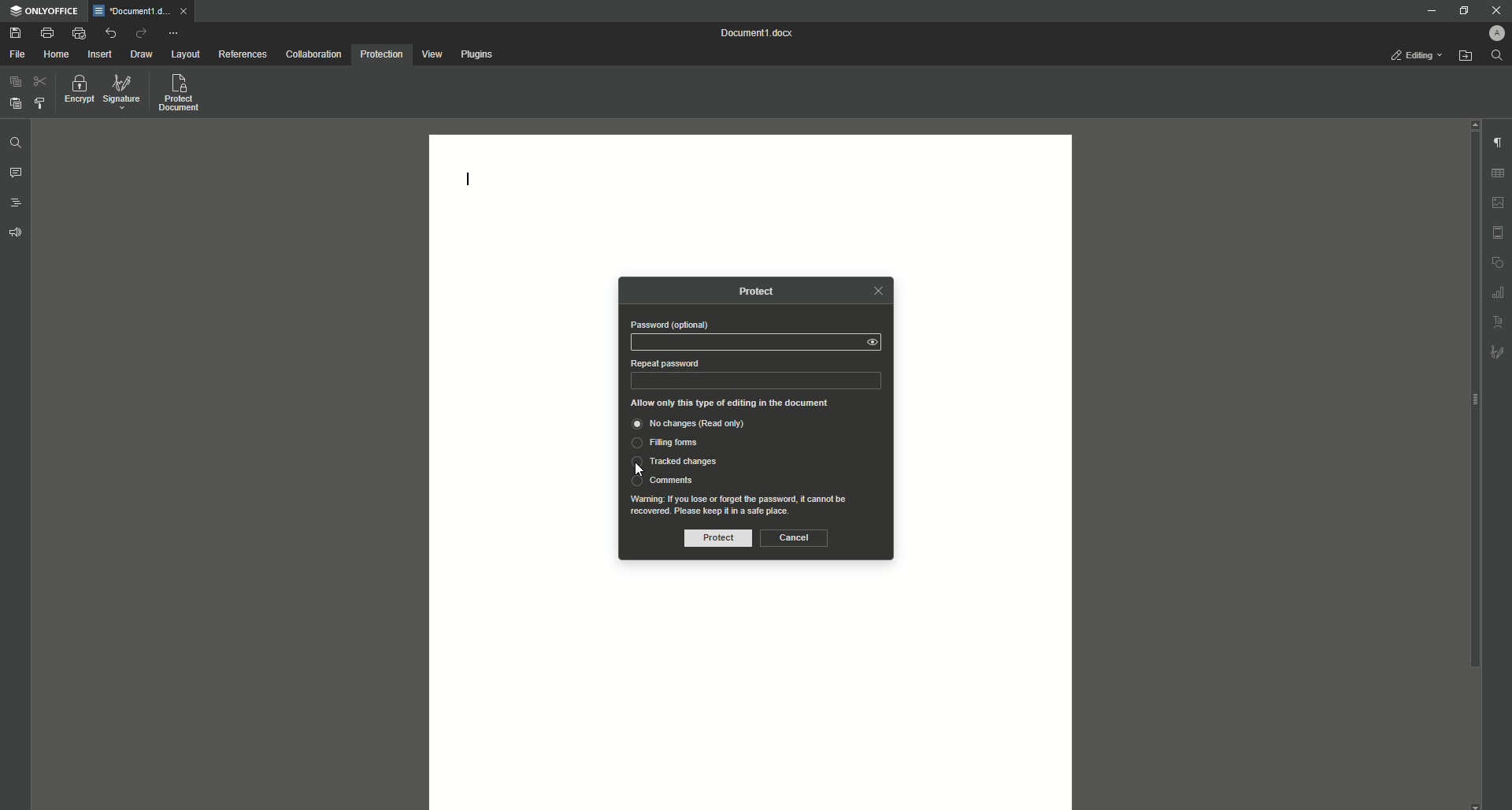 The image size is (1512, 810). I want to click on Save, so click(13, 32).